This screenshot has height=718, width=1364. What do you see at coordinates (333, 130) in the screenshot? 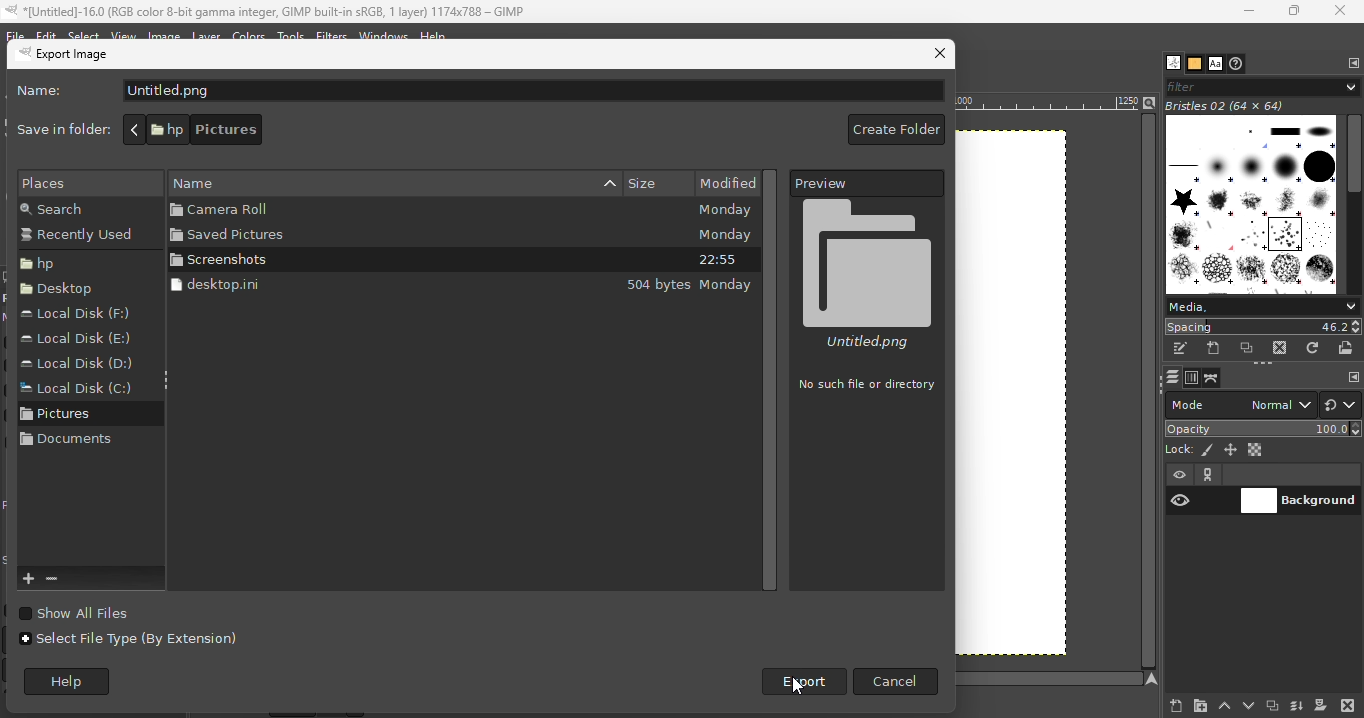
I see `my Pictures` at bounding box center [333, 130].